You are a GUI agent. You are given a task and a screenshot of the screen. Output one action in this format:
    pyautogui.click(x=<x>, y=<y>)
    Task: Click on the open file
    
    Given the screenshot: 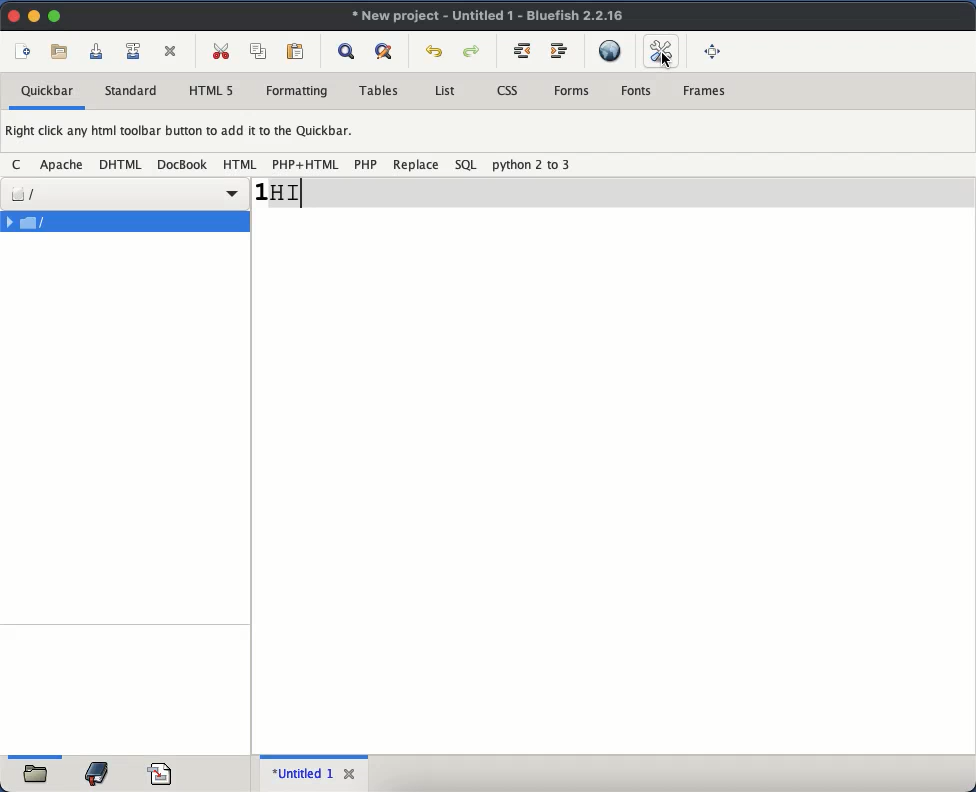 What is the action you would take?
    pyautogui.click(x=63, y=49)
    